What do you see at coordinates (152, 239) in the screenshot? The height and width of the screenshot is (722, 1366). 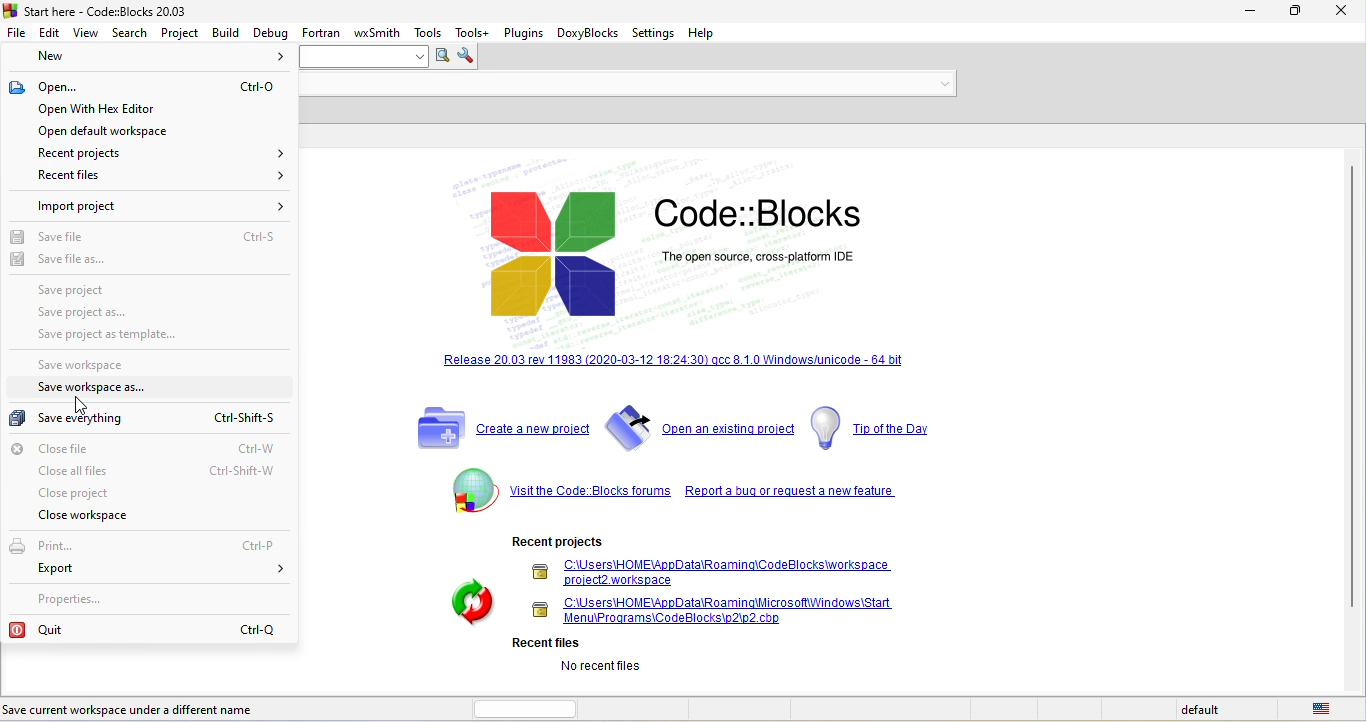 I see `save files` at bounding box center [152, 239].